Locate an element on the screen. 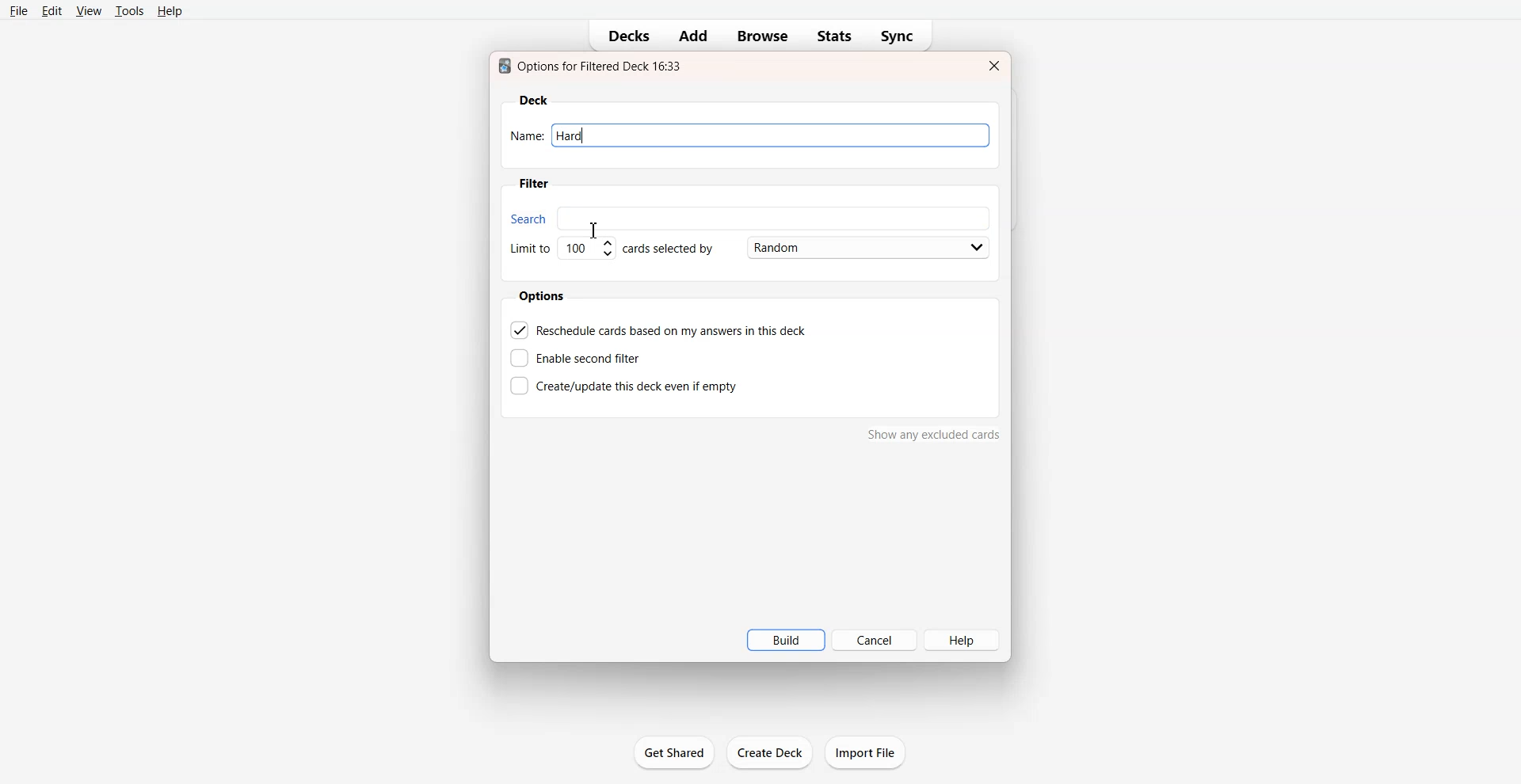  Sync is located at coordinates (902, 36).